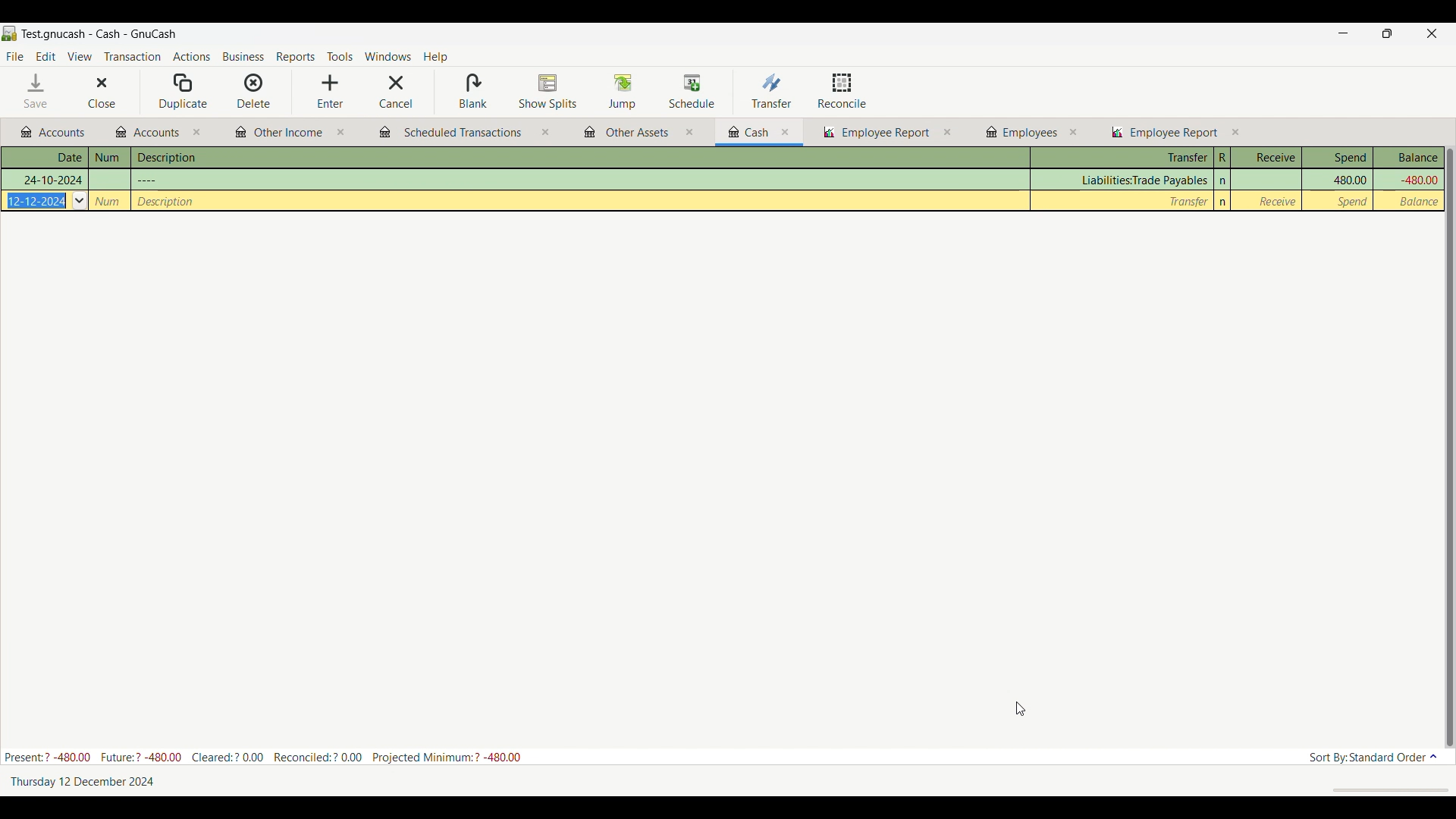 Image resolution: width=1456 pixels, height=819 pixels. What do you see at coordinates (100, 33) in the screenshot?
I see `Name of current budget tab and software` at bounding box center [100, 33].